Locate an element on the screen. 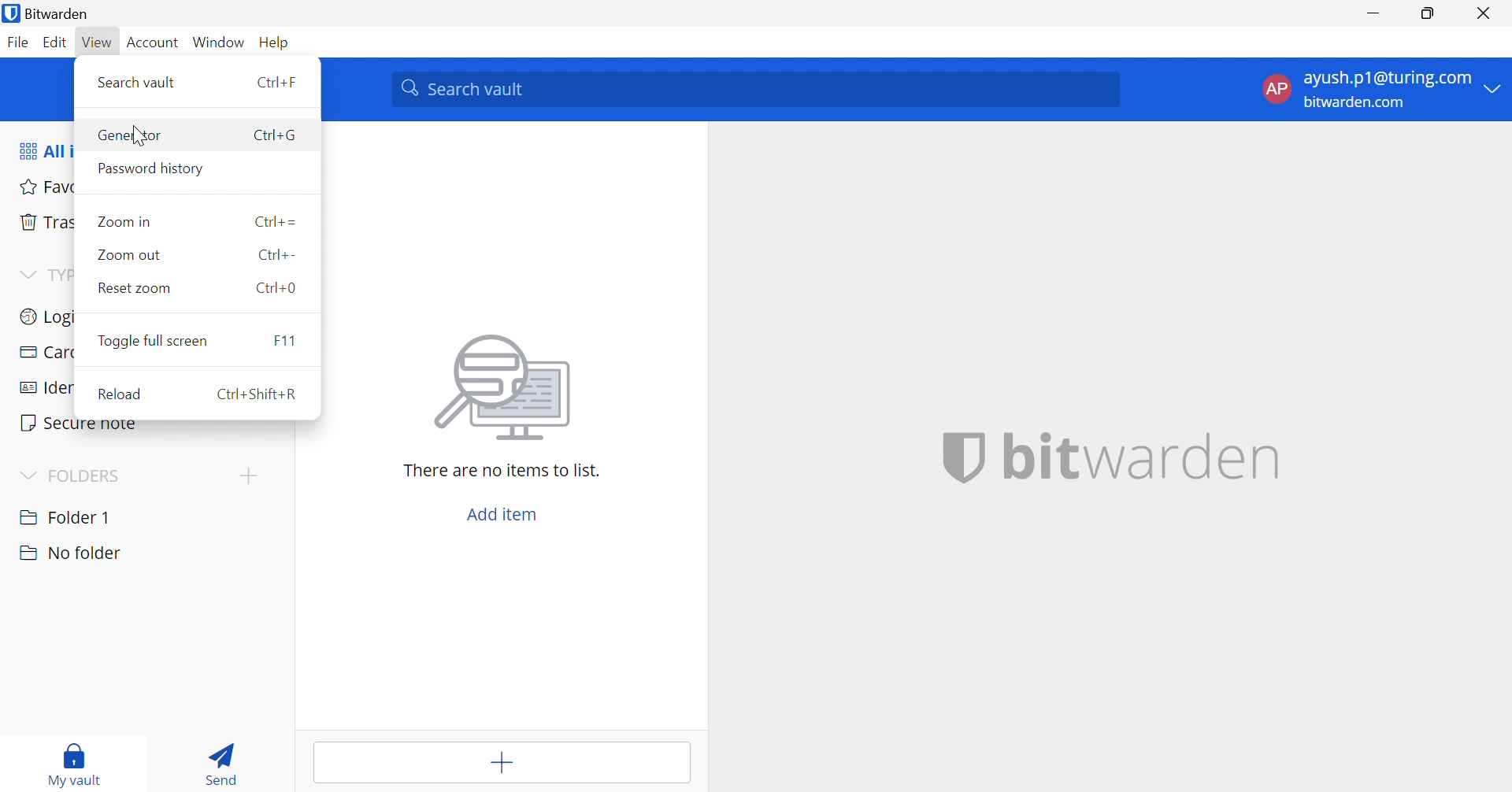  Ctrl+0 is located at coordinates (276, 287).